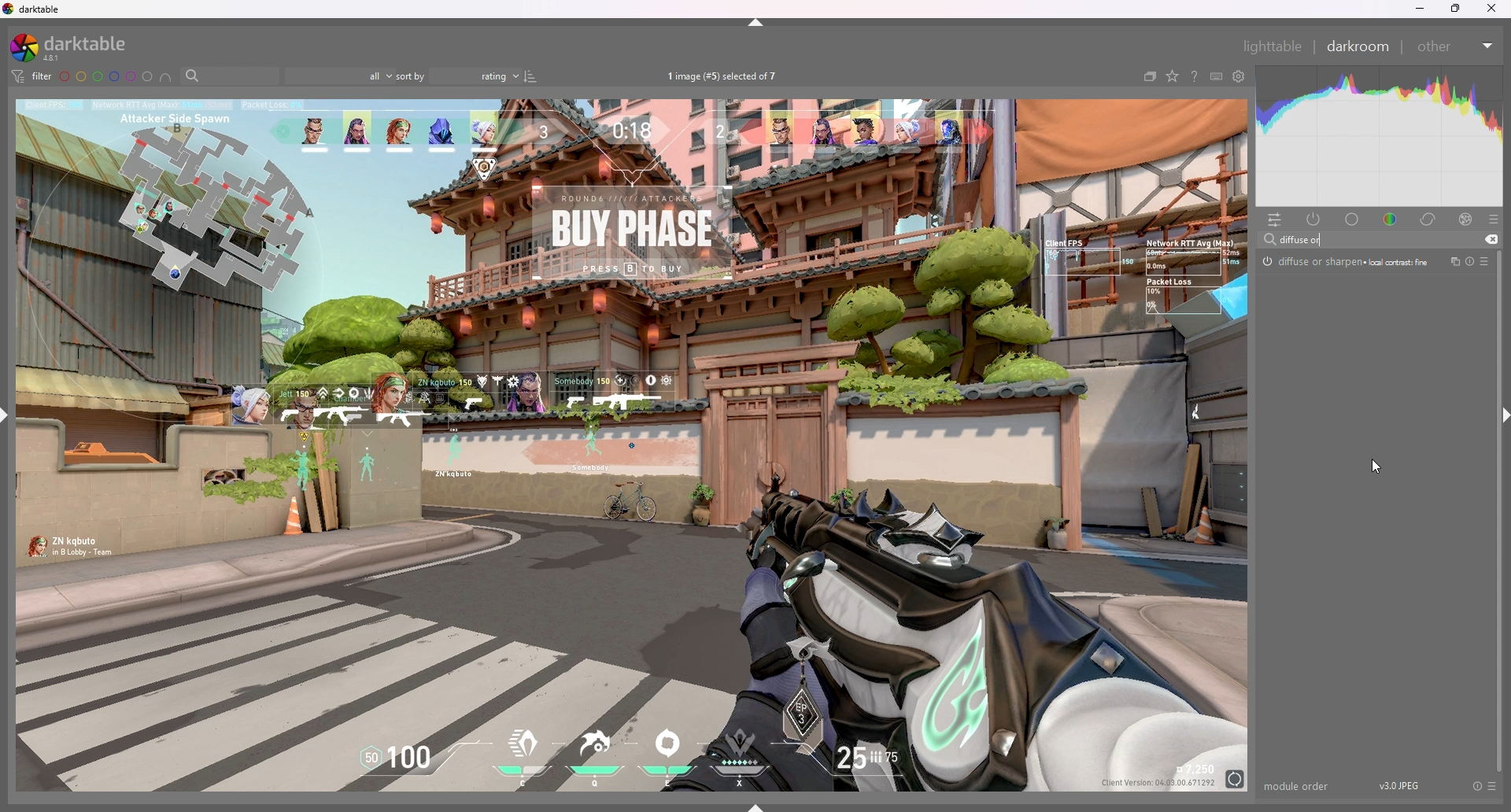 This screenshot has height=812, width=1511. Describe the element at coordinates (1392, 218) in the screenshot. I see `color` at that location.